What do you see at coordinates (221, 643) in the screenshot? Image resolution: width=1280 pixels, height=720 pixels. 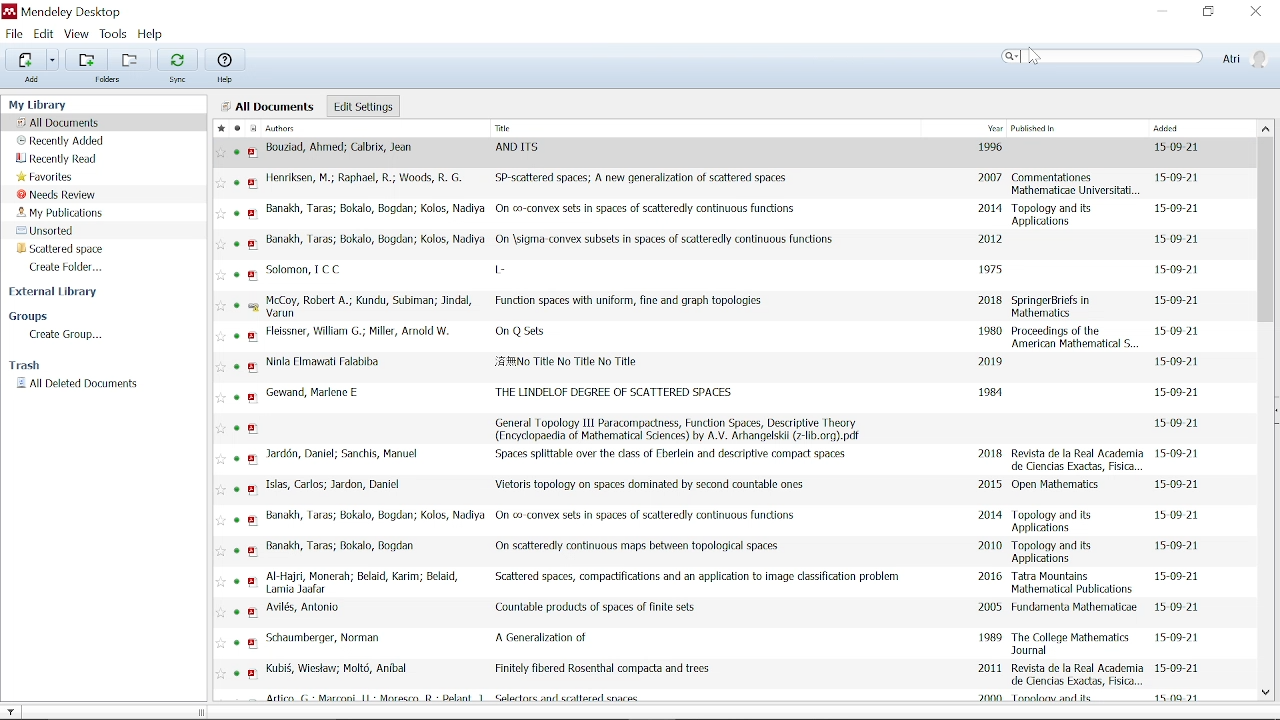 I see `Add to favorite` at bounding box center [221, 643].